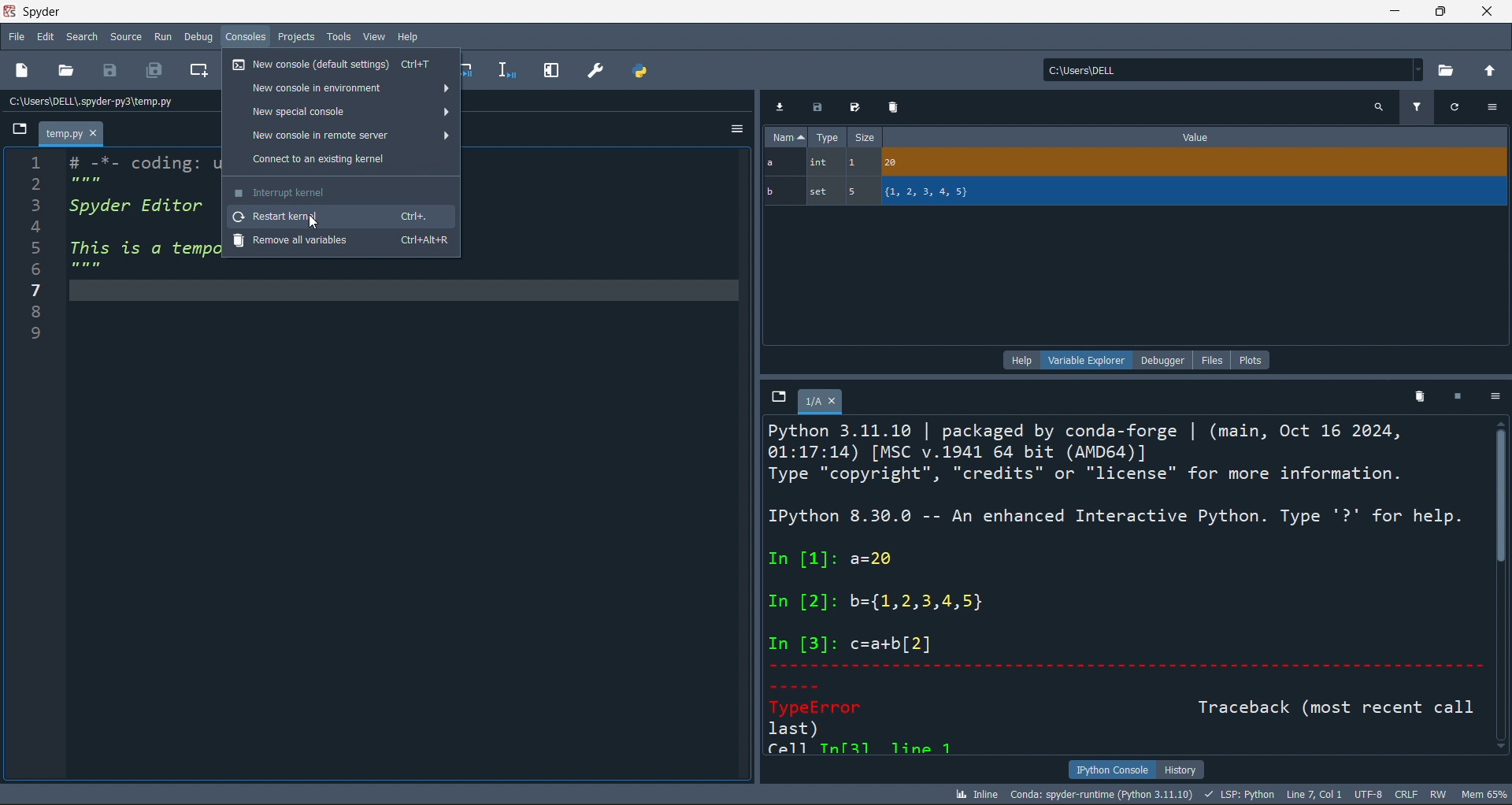  I want to click on browse tabs, so click(17, 130).